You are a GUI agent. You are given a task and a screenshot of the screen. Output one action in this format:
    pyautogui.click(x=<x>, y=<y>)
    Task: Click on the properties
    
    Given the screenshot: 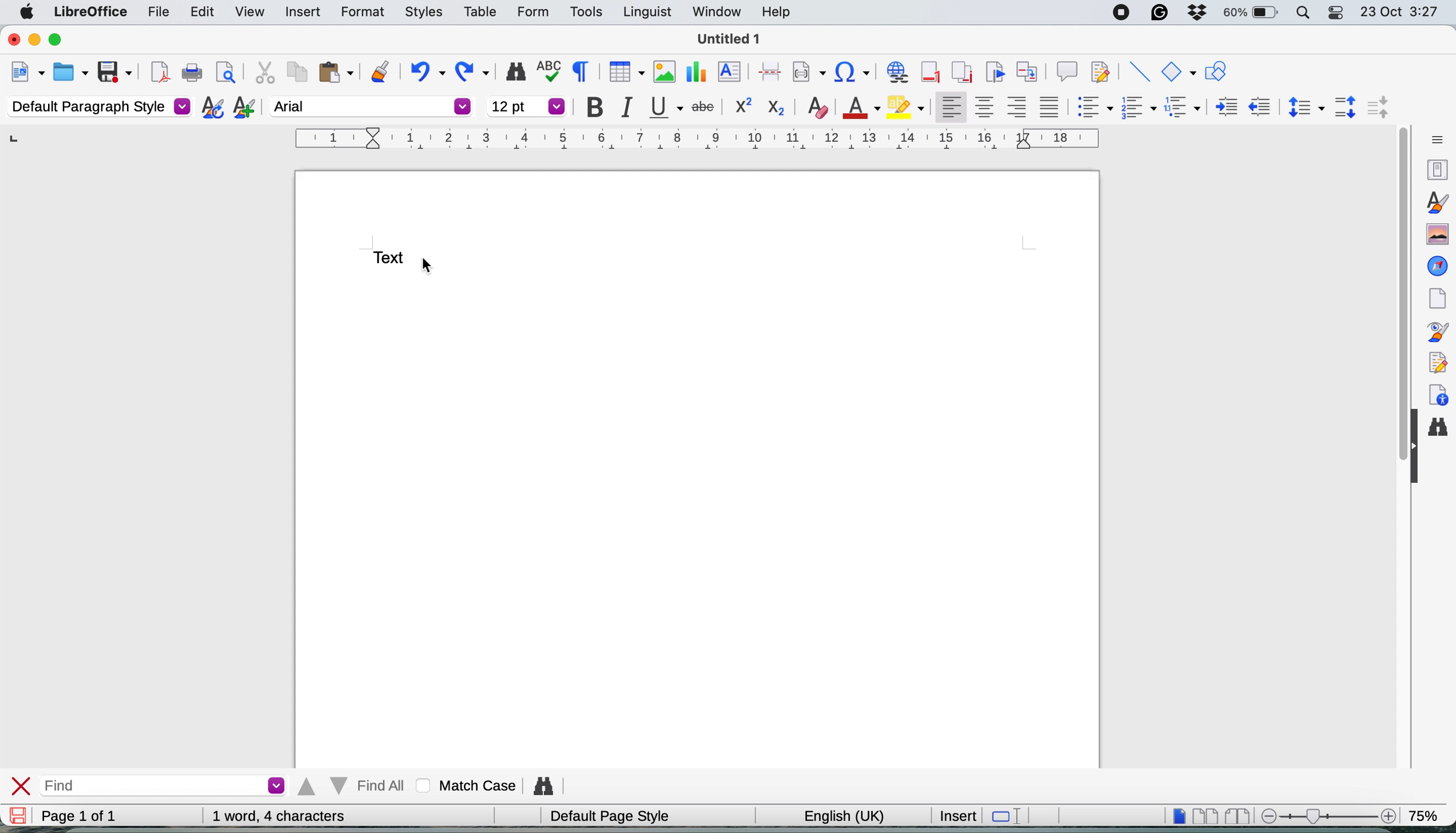 What is the action you would take?
    pyautogui.click(x=1437, y=170)
    